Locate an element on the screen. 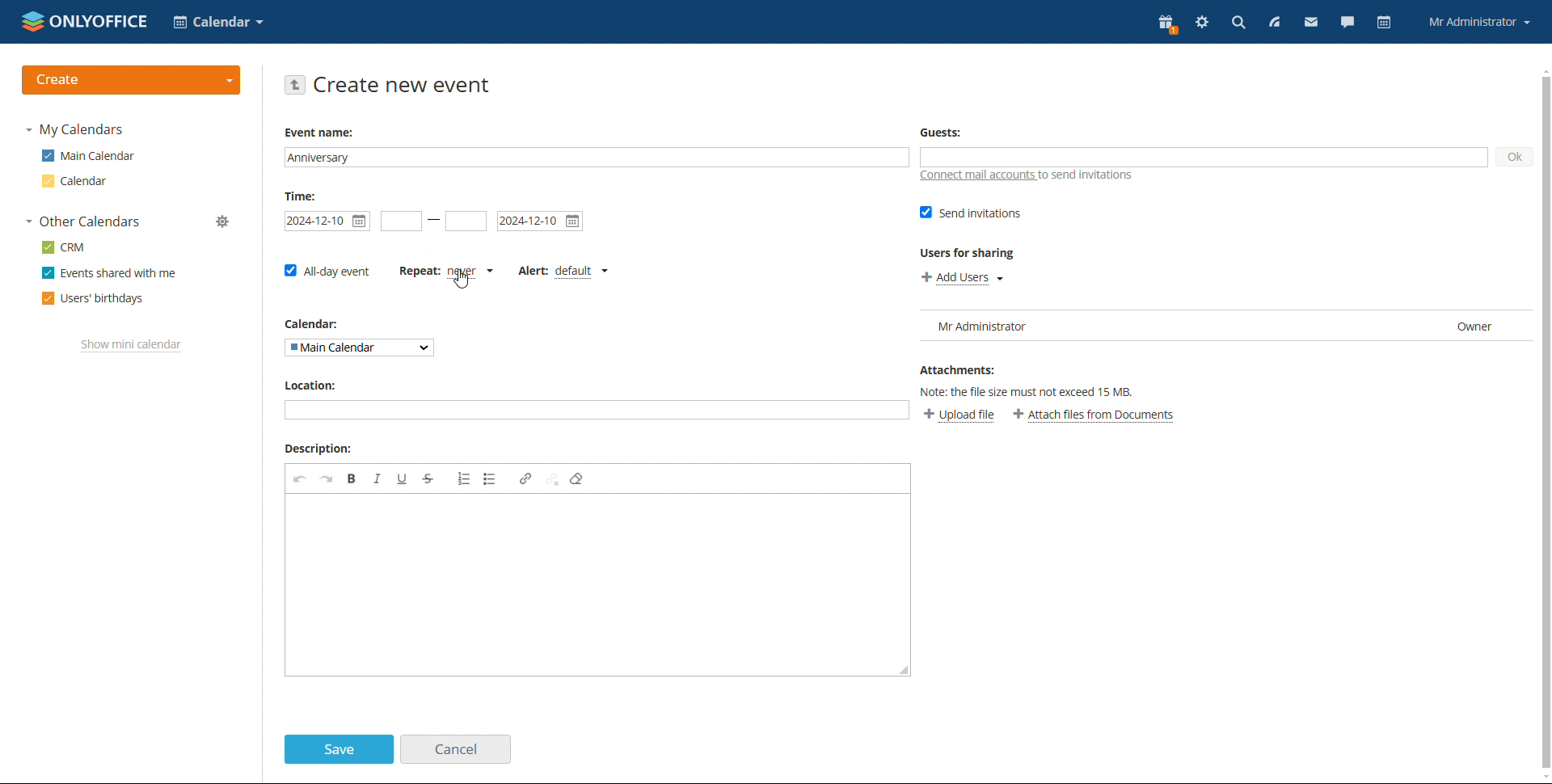 This screenshot has height=784, width=1552. connect mail accounts is located at coordinates (1027, 176).